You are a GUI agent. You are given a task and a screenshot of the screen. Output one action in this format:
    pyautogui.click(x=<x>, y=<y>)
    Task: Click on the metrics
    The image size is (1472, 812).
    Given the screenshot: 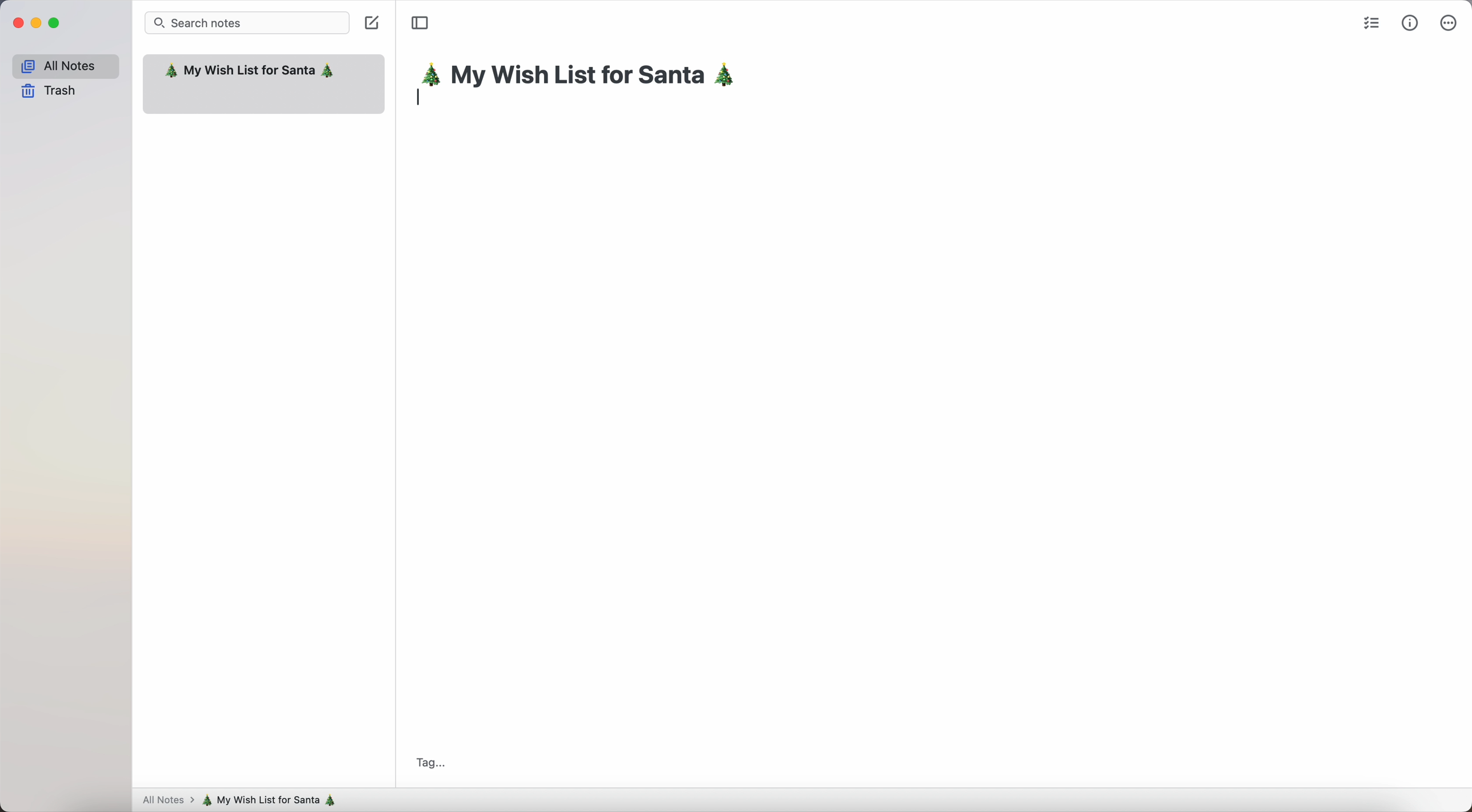 What is the action you would take?
    pyautogui.click(x=1410, y=22)
    